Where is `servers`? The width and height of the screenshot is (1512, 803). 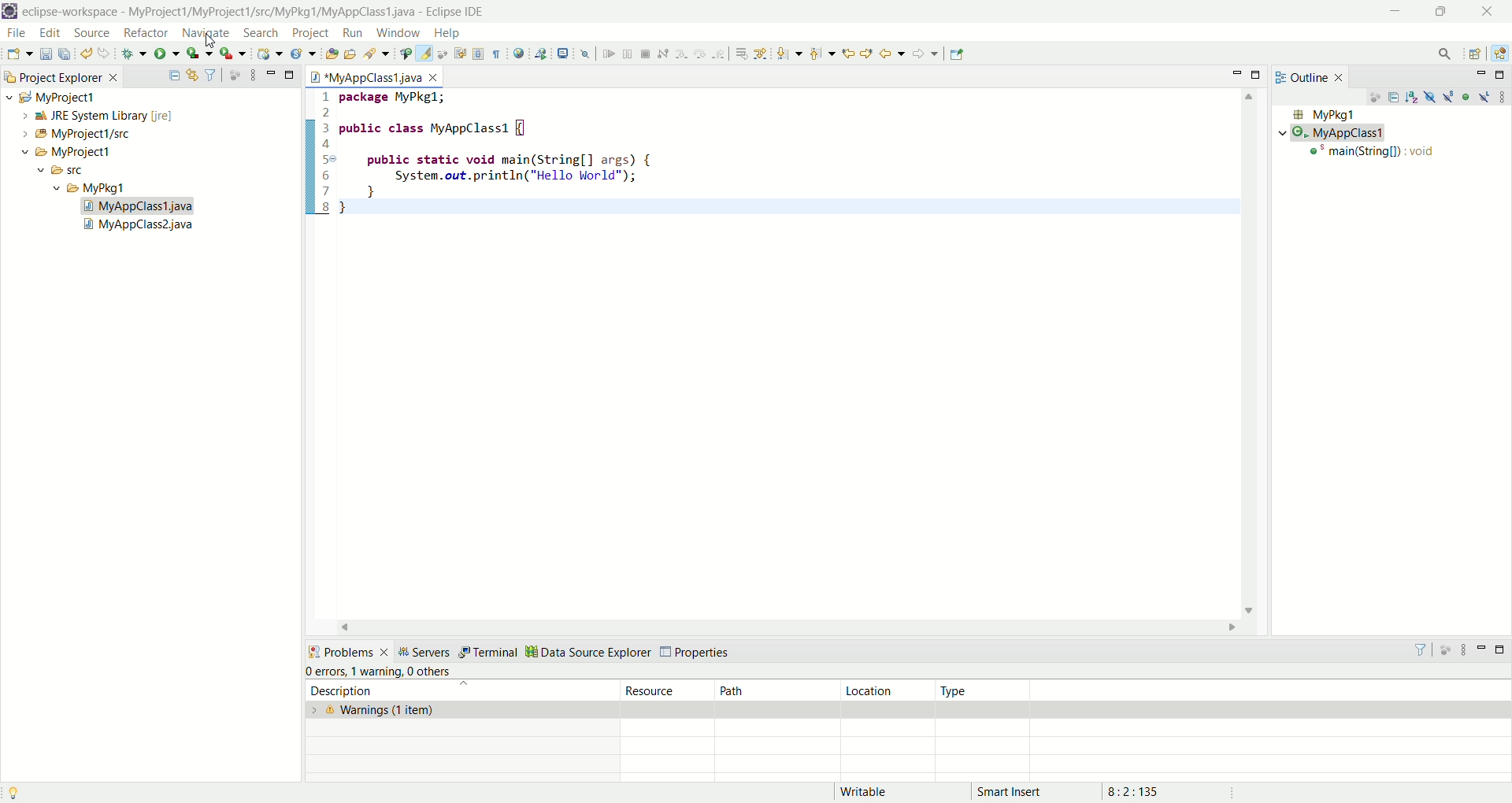 servers is located at coordinates (424, 651).